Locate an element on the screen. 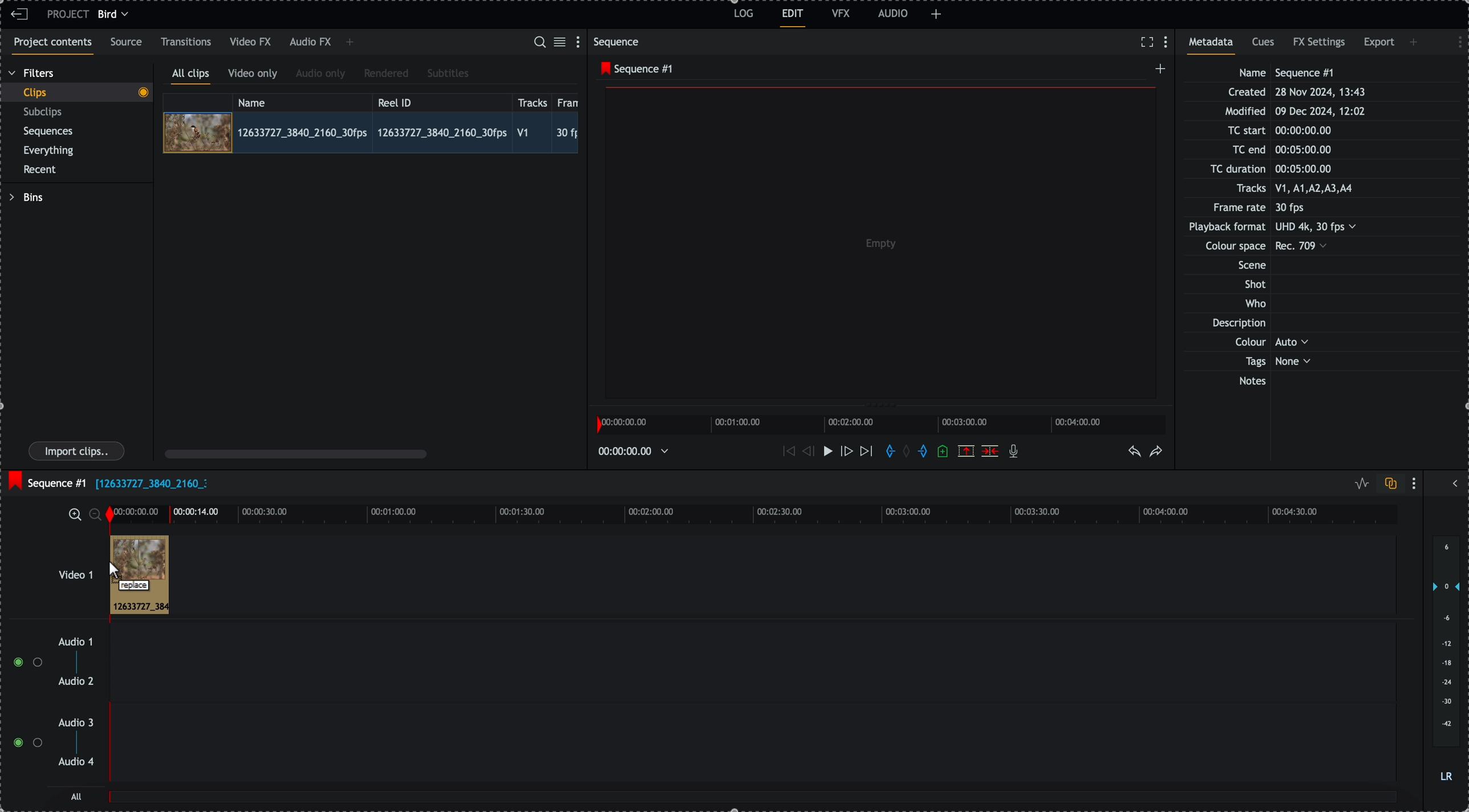 The width and height of the screenshot is (1469, 812). audio 2 is located at coordinates (74, 682).